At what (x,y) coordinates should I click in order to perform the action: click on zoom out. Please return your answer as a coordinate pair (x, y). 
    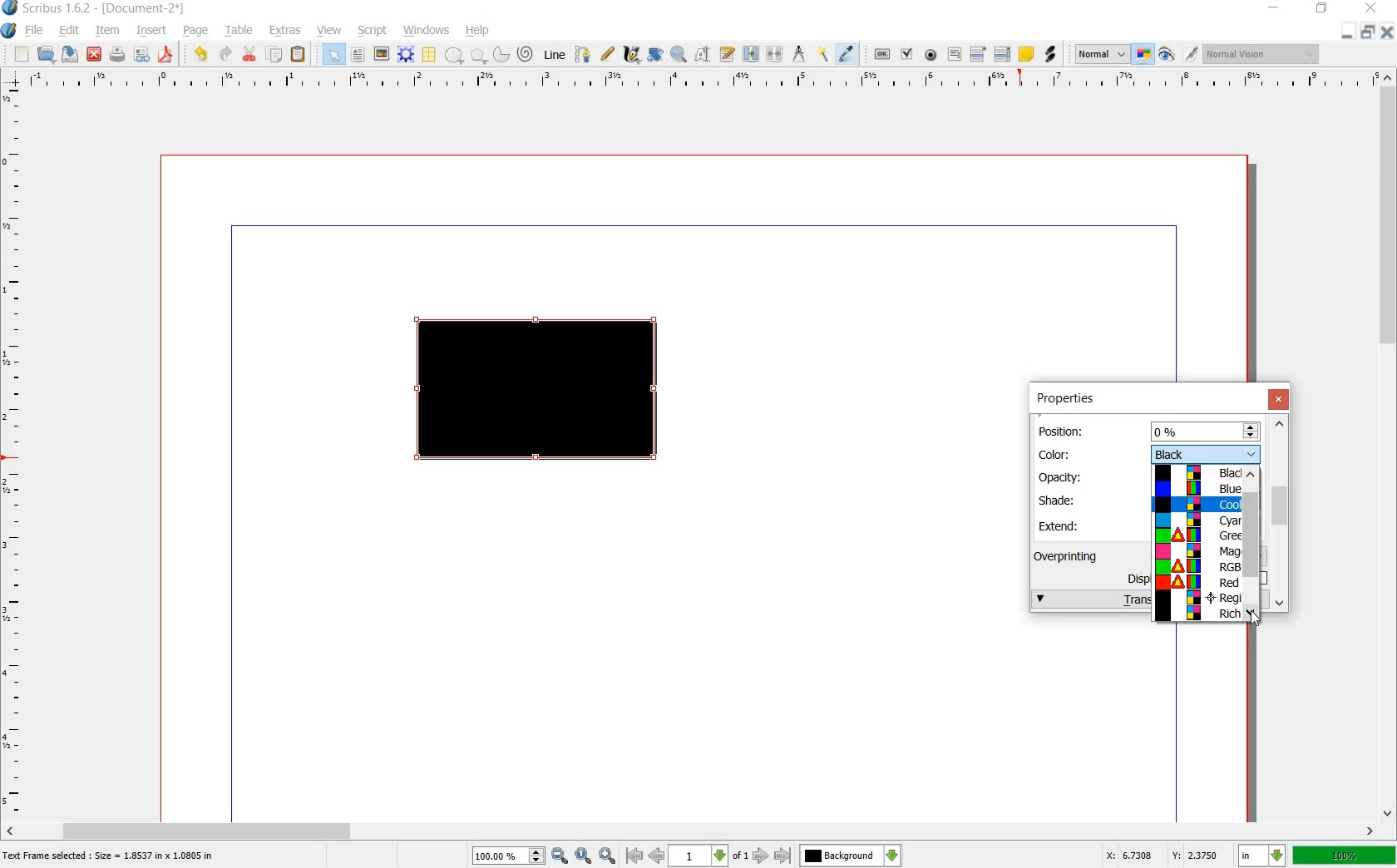
    Looking at the image, I should click on (560, 856).